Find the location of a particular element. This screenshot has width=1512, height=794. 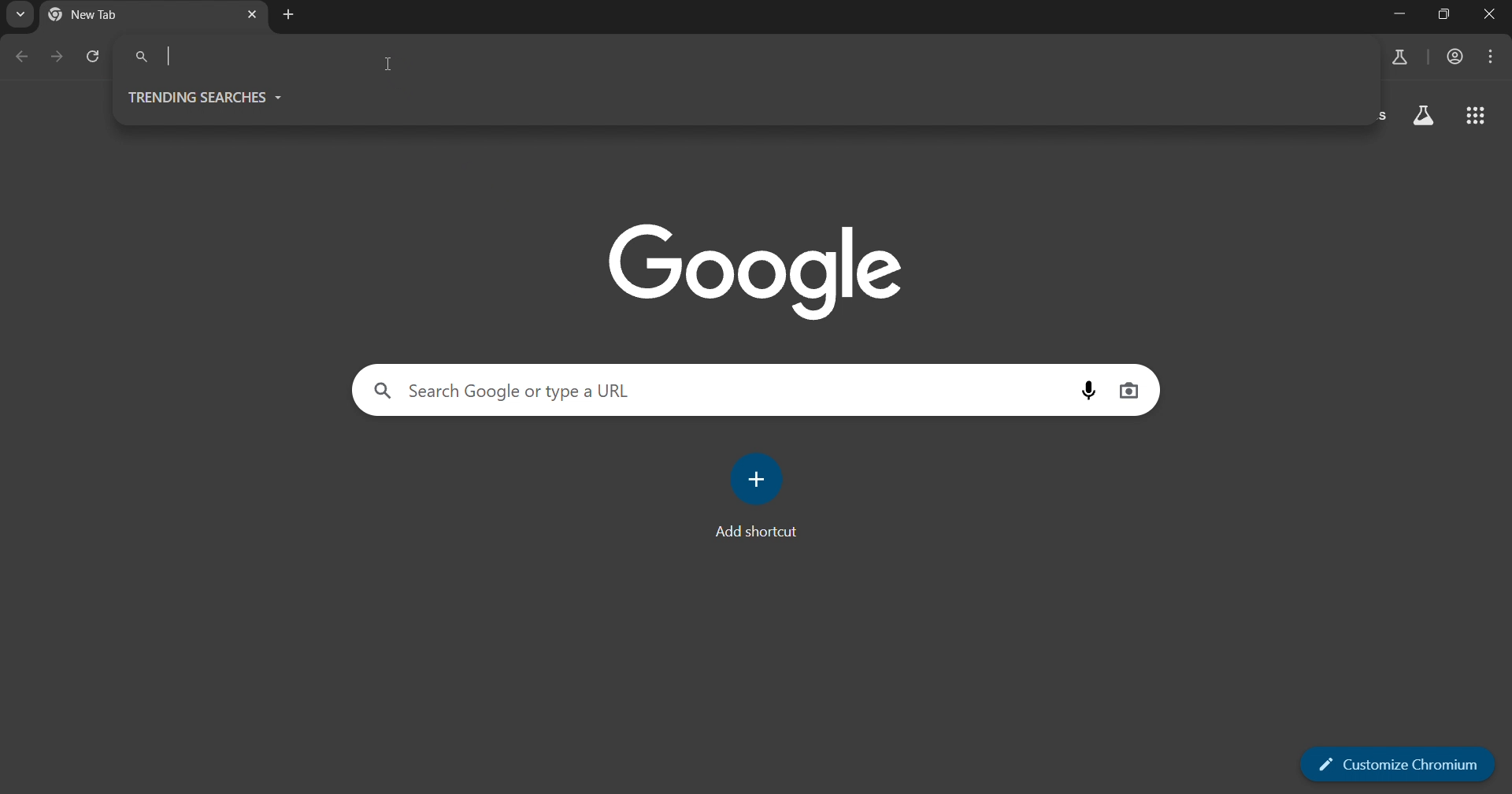

voice search is located at coordinates (1081, 390).